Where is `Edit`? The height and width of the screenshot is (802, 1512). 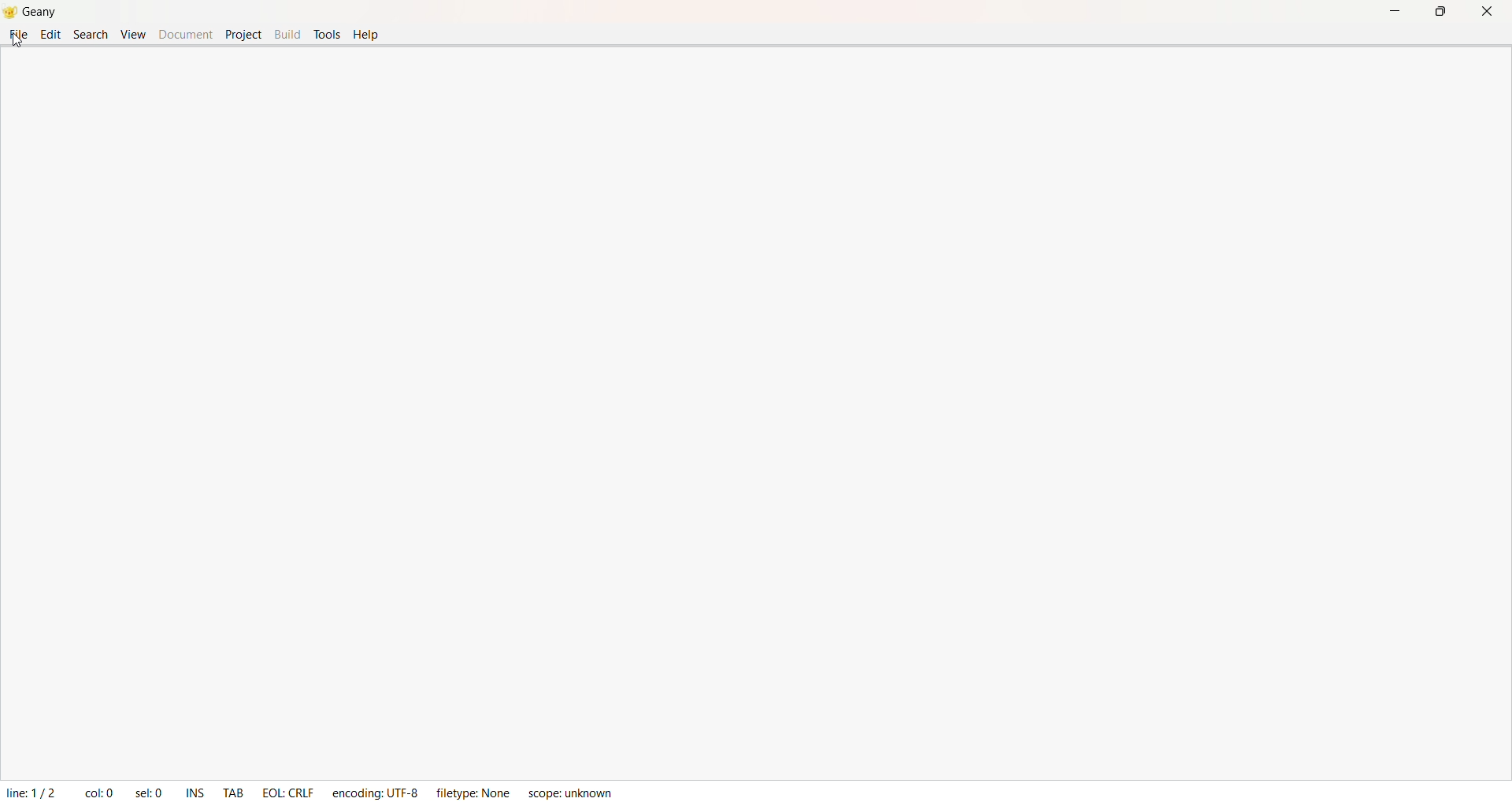 Edit is located at coordinates (50, 35).